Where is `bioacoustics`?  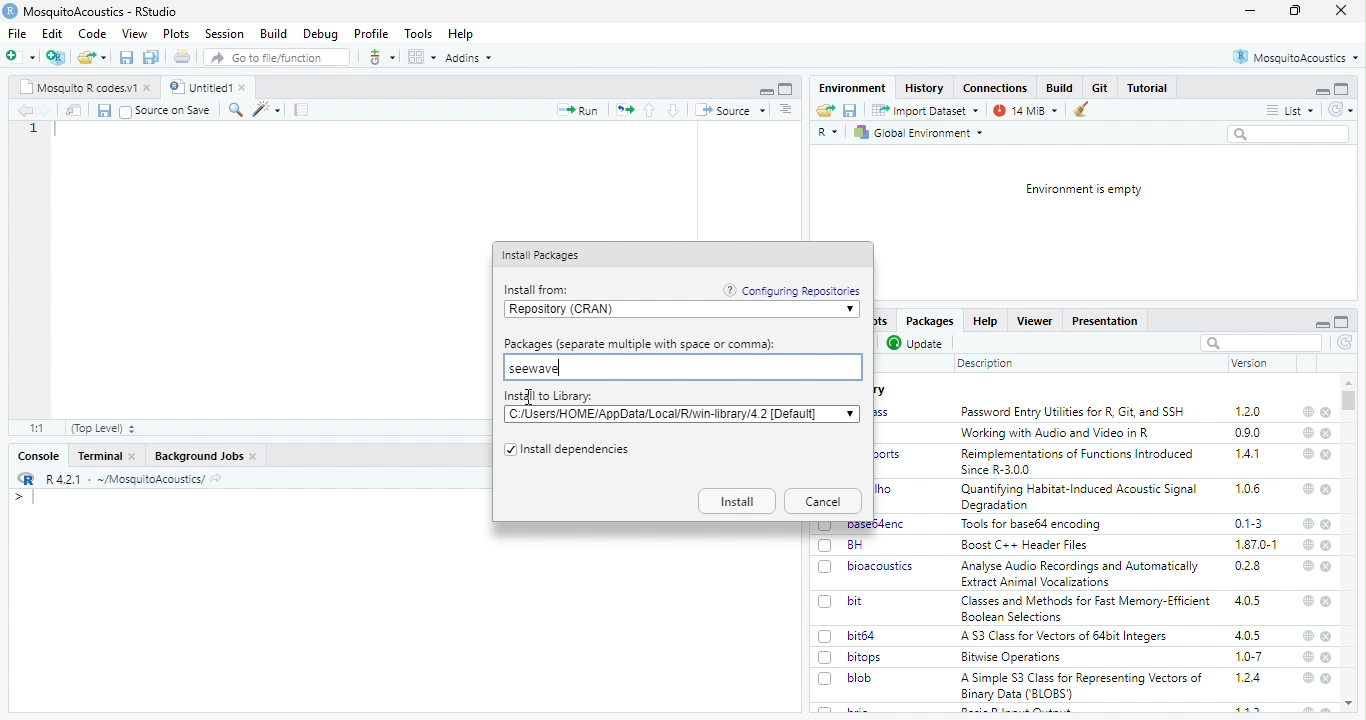
bioacoustics is located at coordinates (883, 567).